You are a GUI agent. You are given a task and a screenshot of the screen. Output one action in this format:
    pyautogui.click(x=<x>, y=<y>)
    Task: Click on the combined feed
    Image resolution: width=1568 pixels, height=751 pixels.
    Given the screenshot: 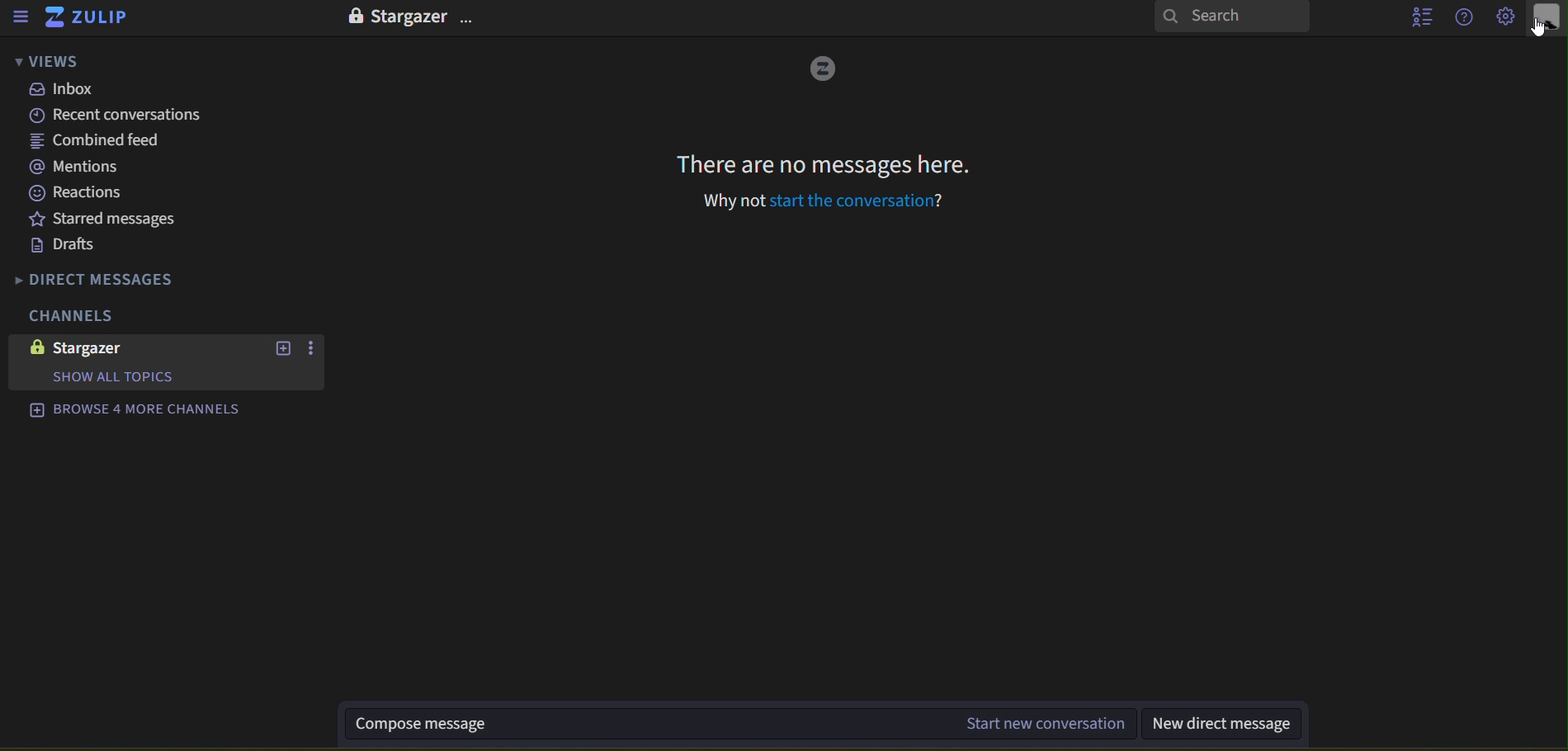 What is the action you would take?
    pyautogui.click(x=97, y=142)
    